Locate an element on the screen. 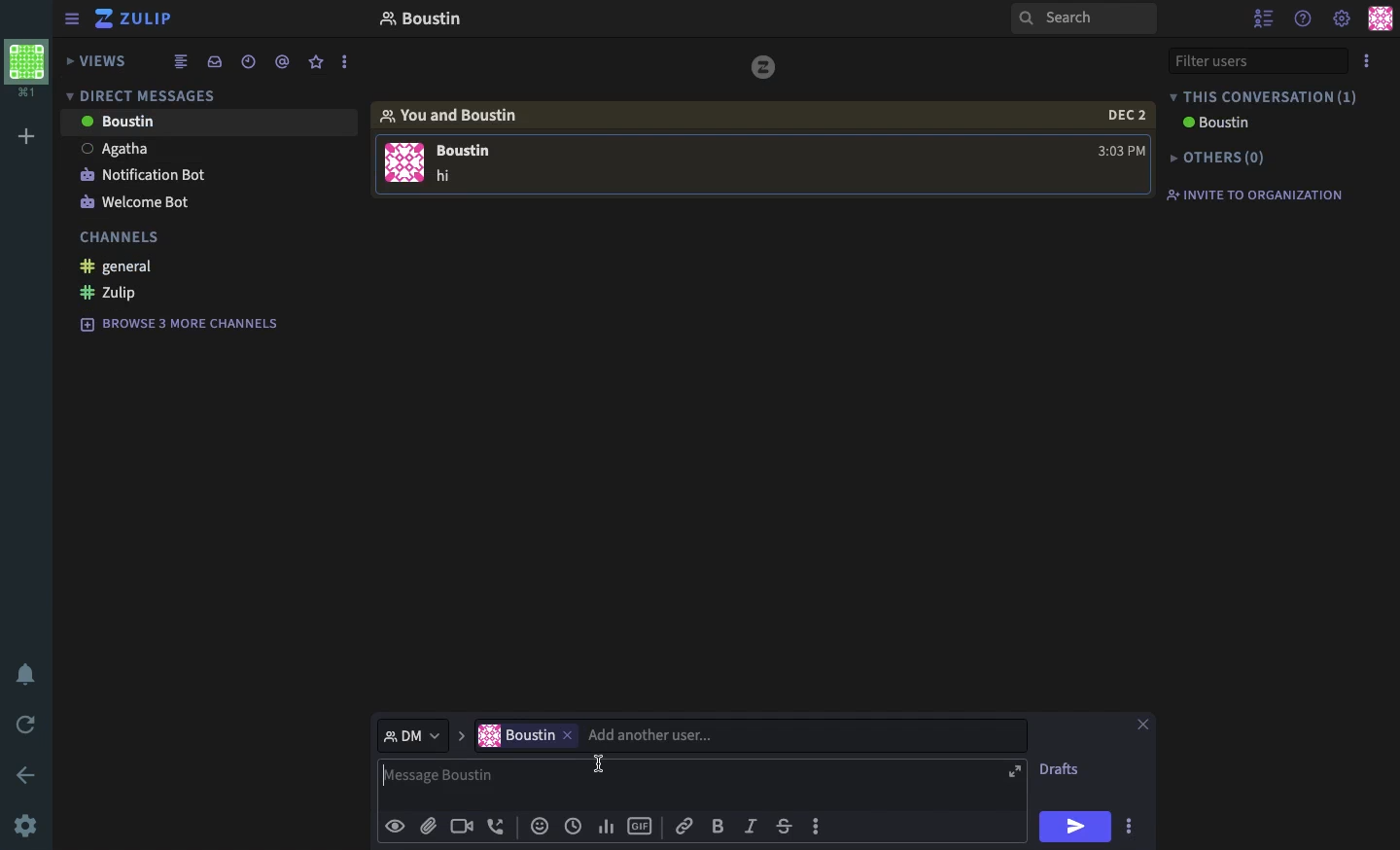  time 3:03 PM is located at coordinates (1116, 151).